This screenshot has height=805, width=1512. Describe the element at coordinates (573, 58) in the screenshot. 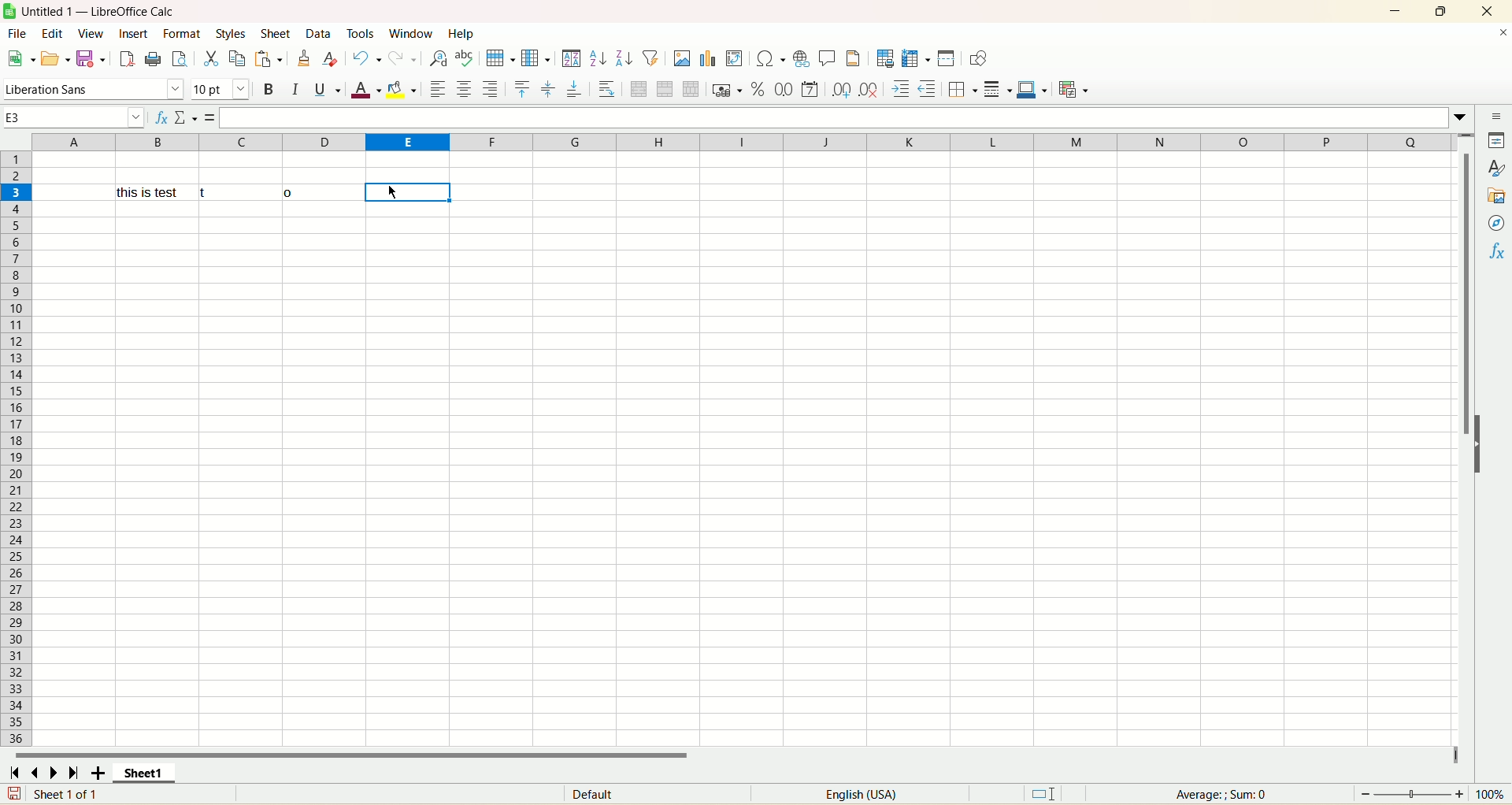

I see `sort` at that location.